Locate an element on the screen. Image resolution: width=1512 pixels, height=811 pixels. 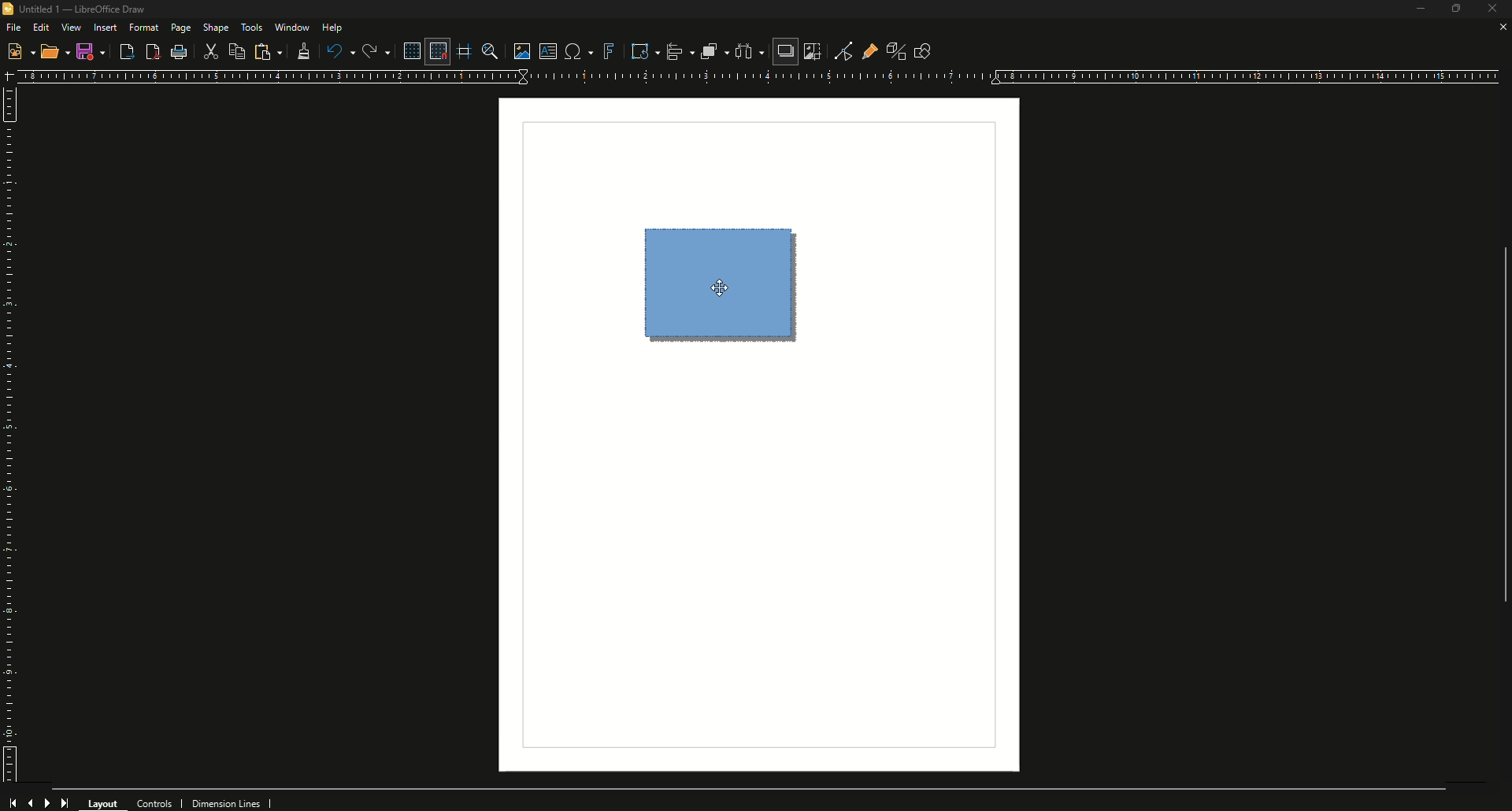
Arrange is located at coordinates (709, 51).